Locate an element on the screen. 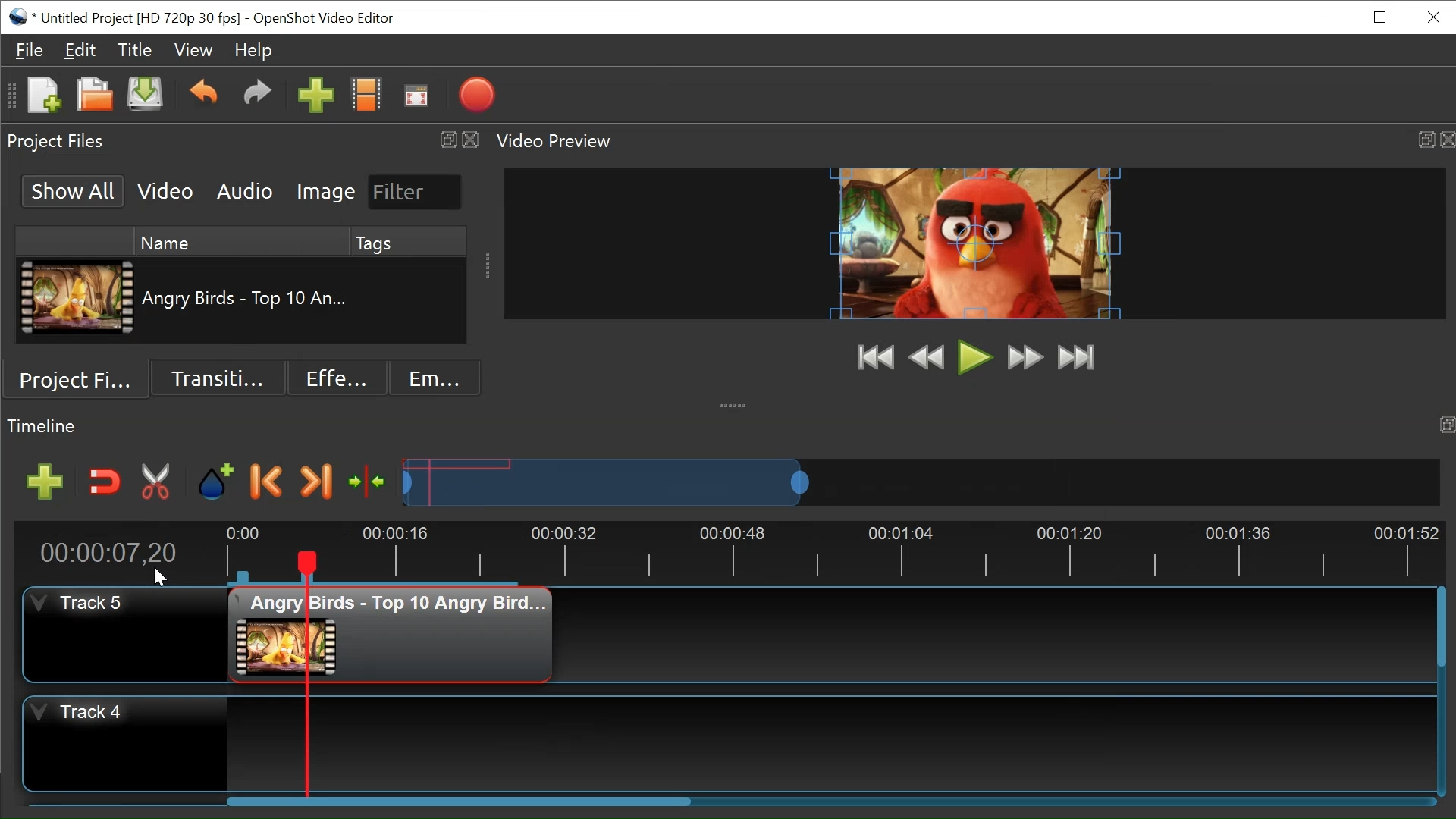  Jump to End is located at coordinates (1076, 358).